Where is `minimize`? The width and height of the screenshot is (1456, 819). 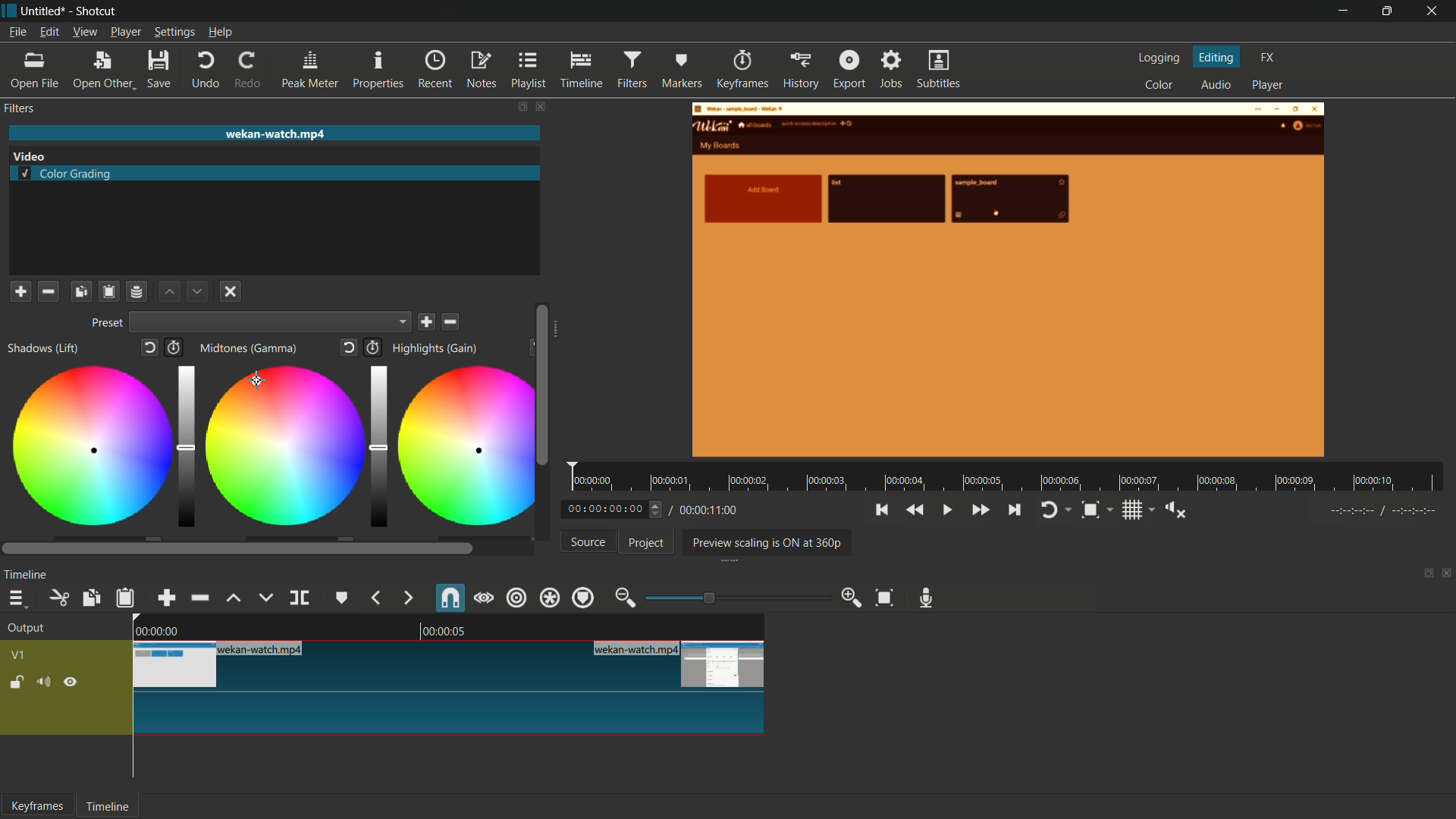 minimize is located at coordinates (1340, 11).